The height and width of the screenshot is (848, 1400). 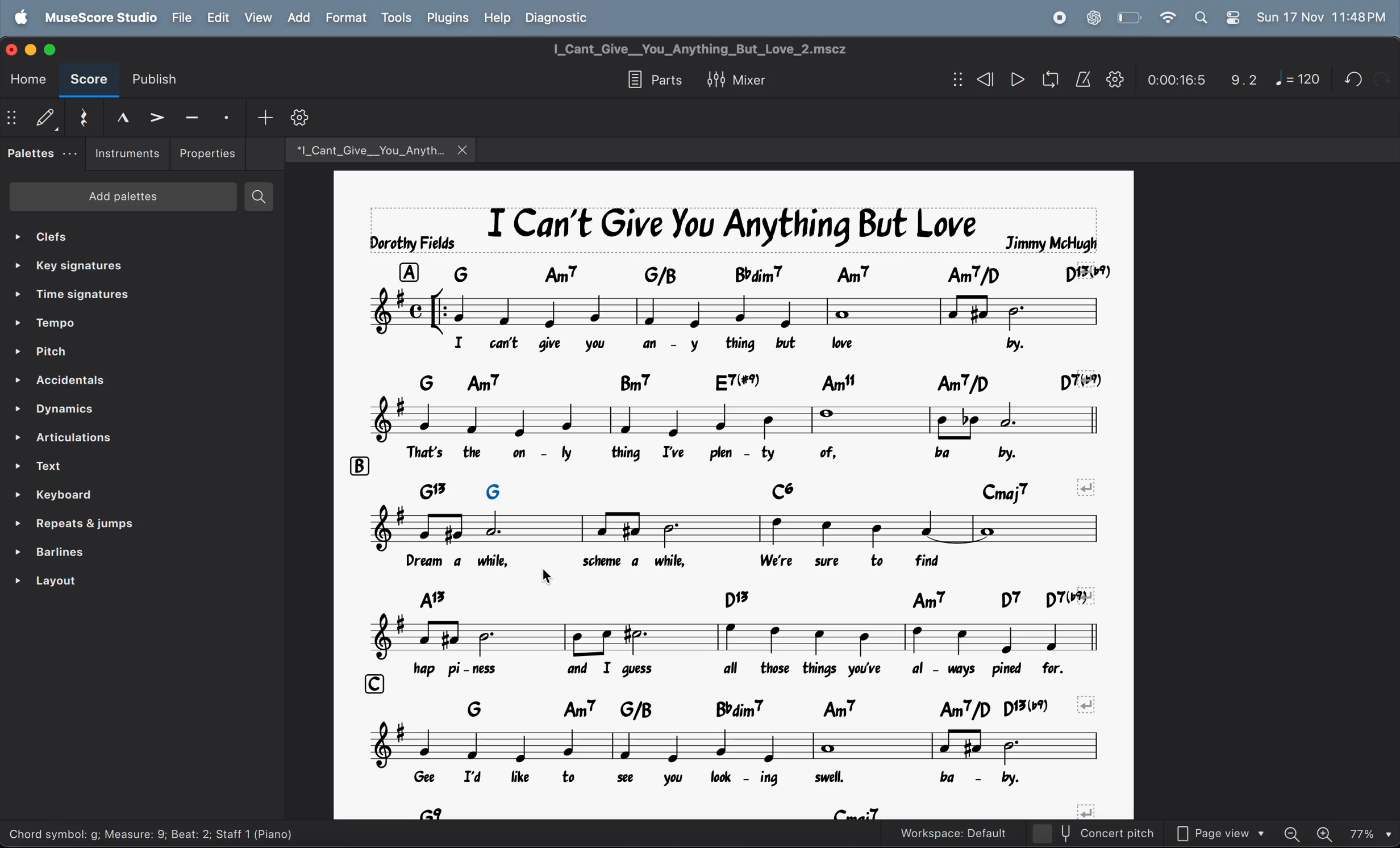 I want to click on dynamics, so click(x=123, y=412).